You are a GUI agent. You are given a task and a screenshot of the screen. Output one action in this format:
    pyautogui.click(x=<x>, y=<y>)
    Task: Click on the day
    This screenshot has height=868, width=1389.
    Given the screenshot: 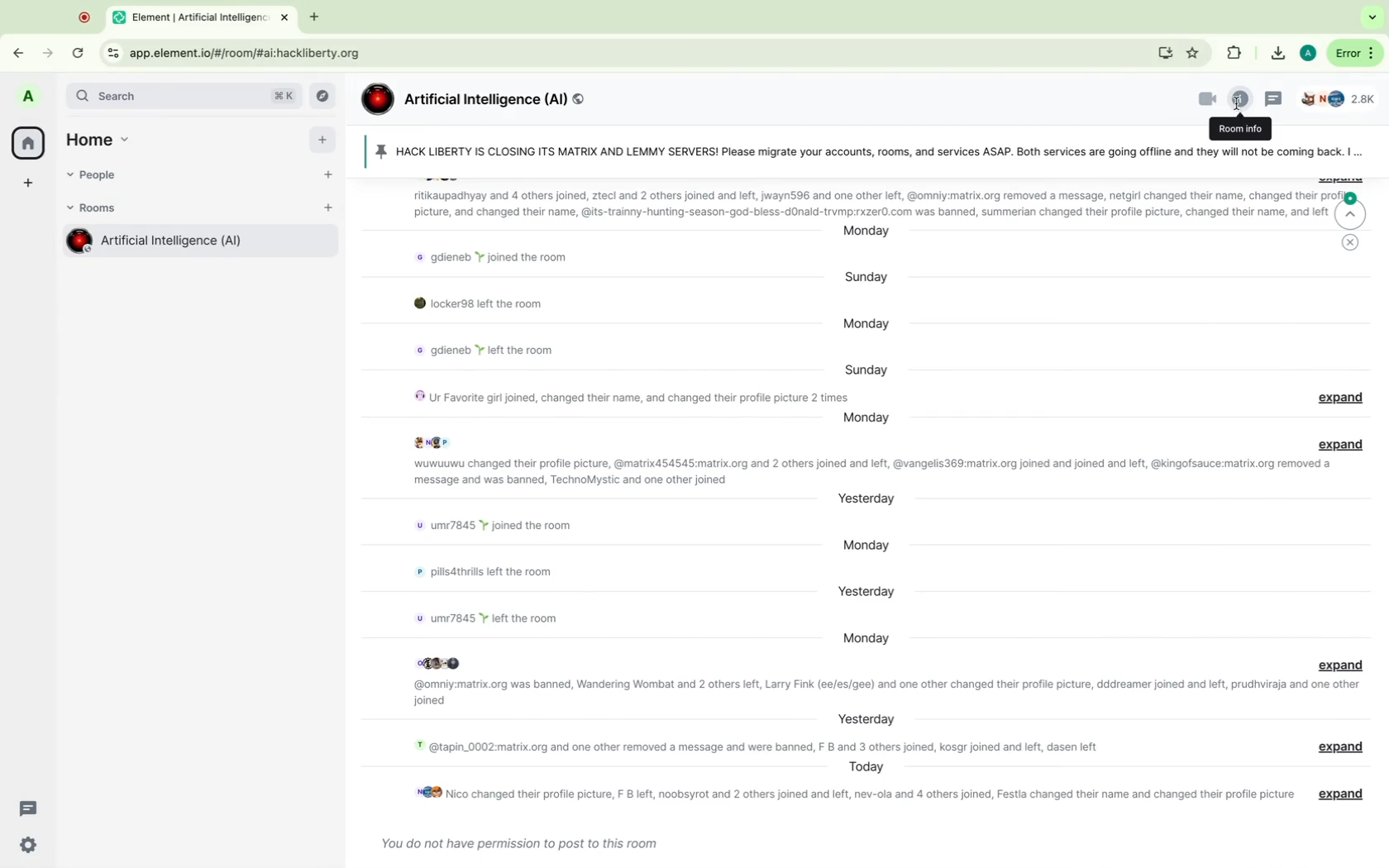 What is the action you would take?
    pyautogui.click(x=866, y=418)
    